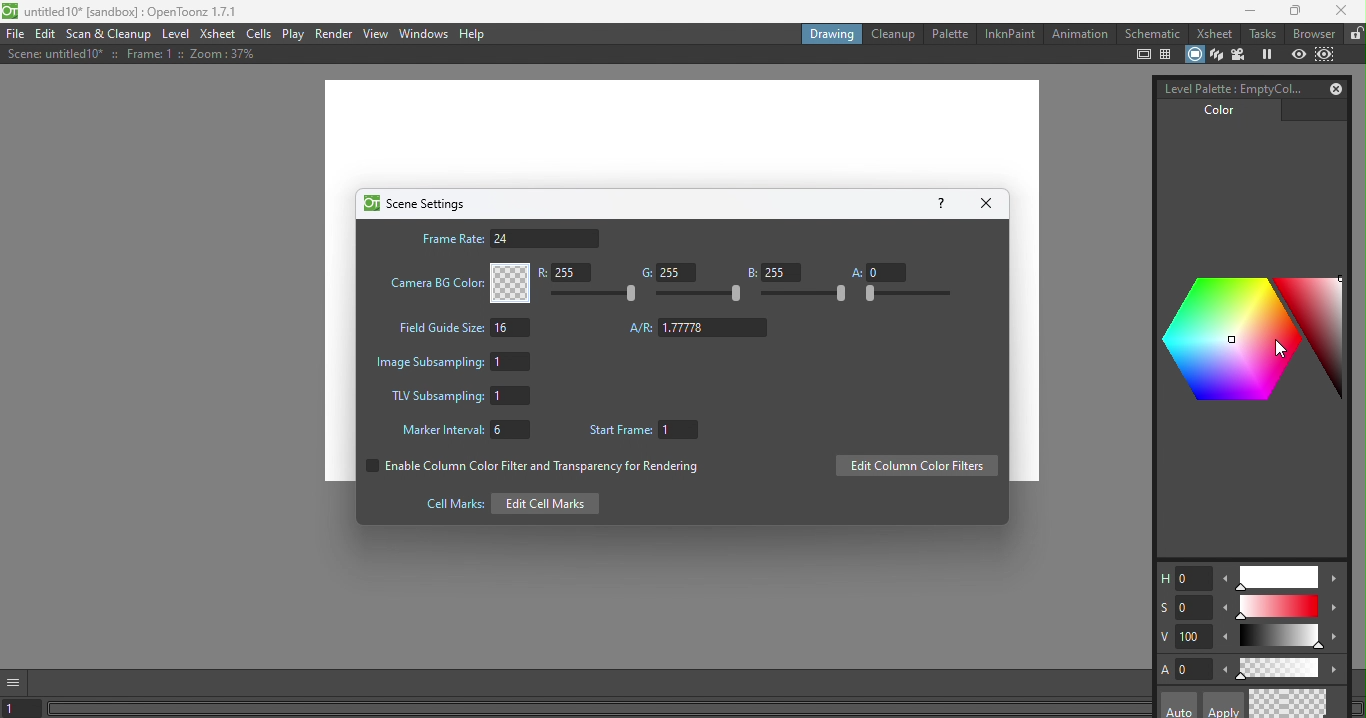  I want to click on Windows, so click(422, 34).